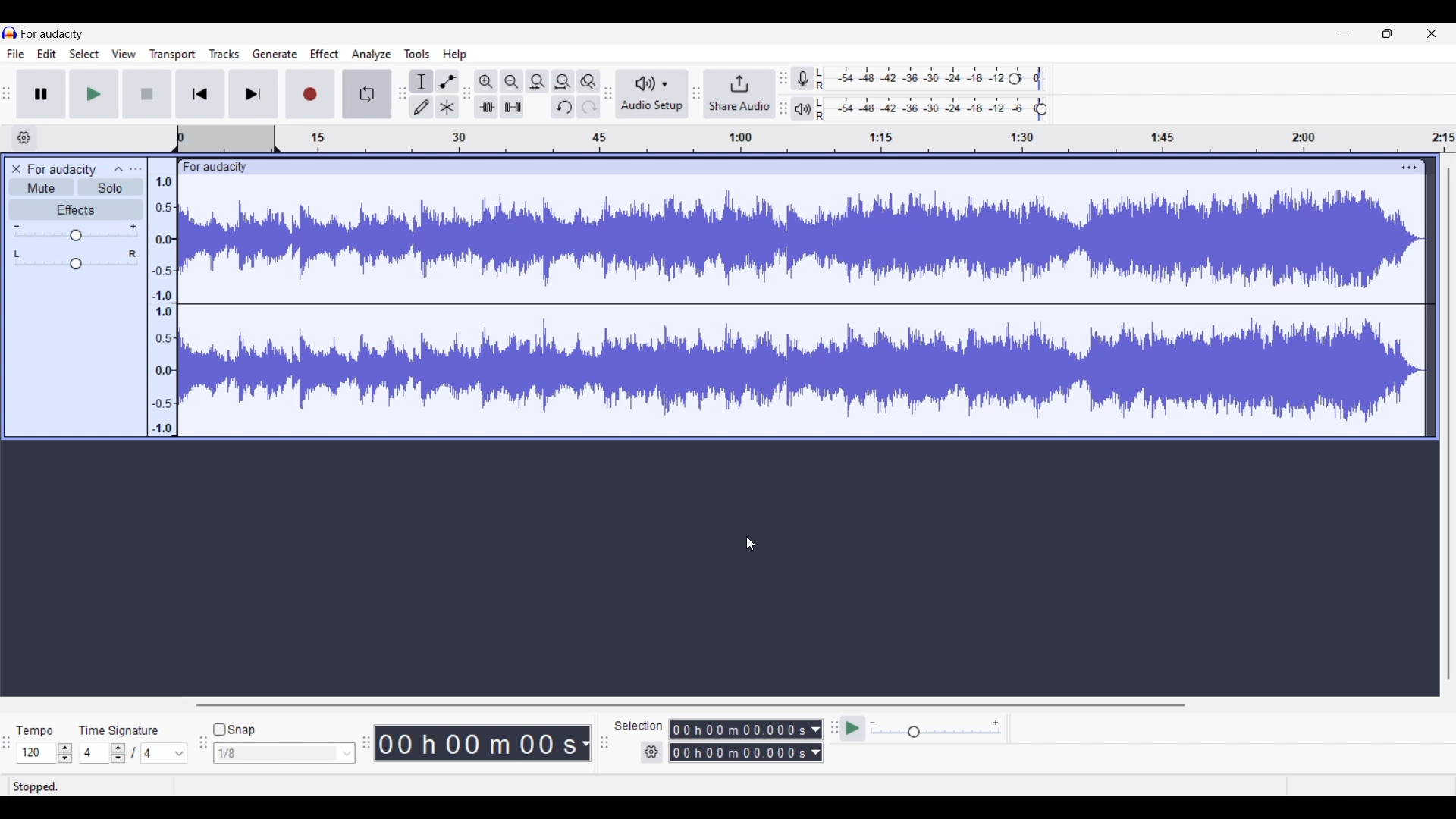 Image resolution: width=1456 pixels, height=819 pixels. I want to click on Share audio, so click(738, 94).